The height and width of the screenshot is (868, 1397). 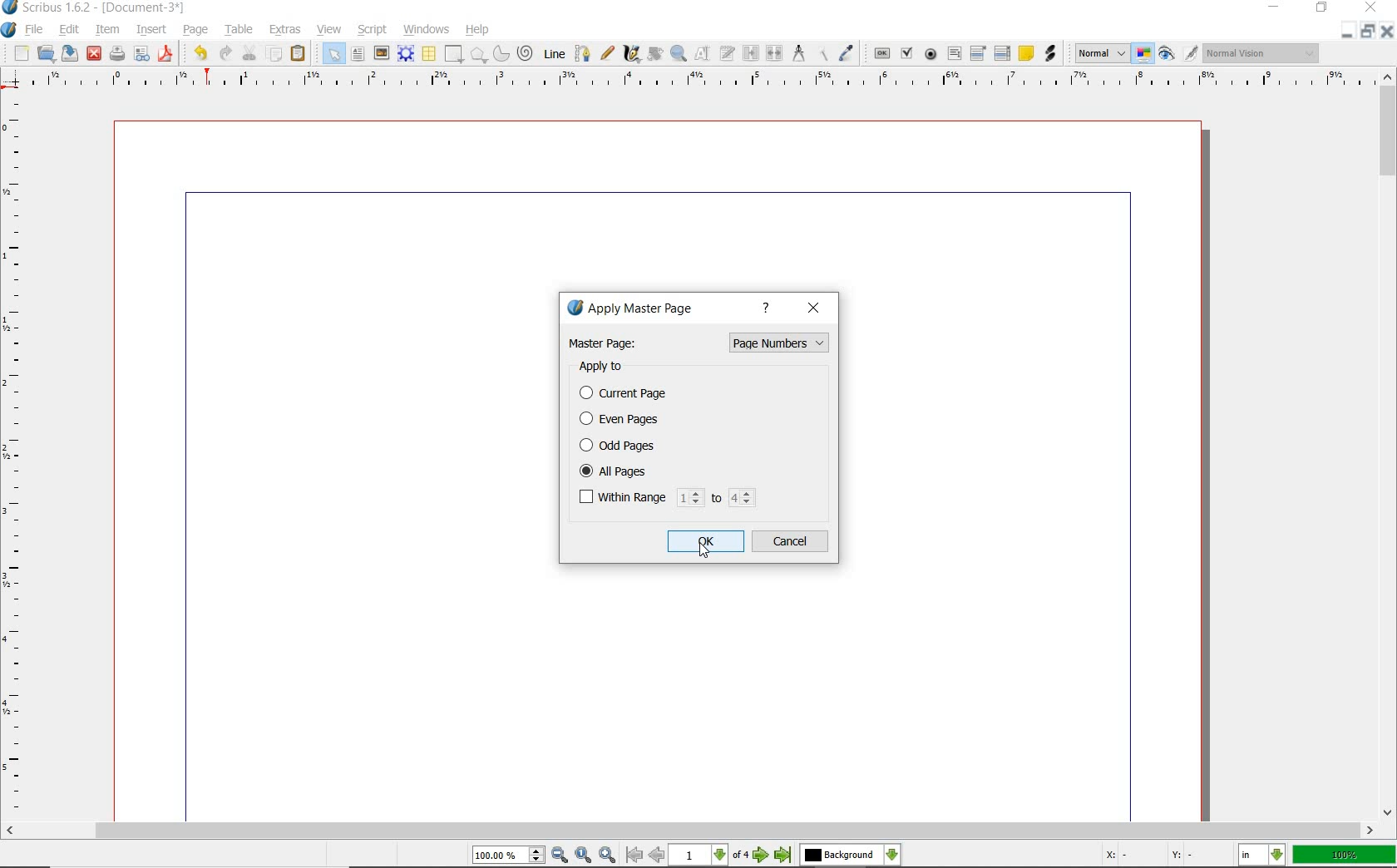 I want to click on print, so click(x=117, y=52).